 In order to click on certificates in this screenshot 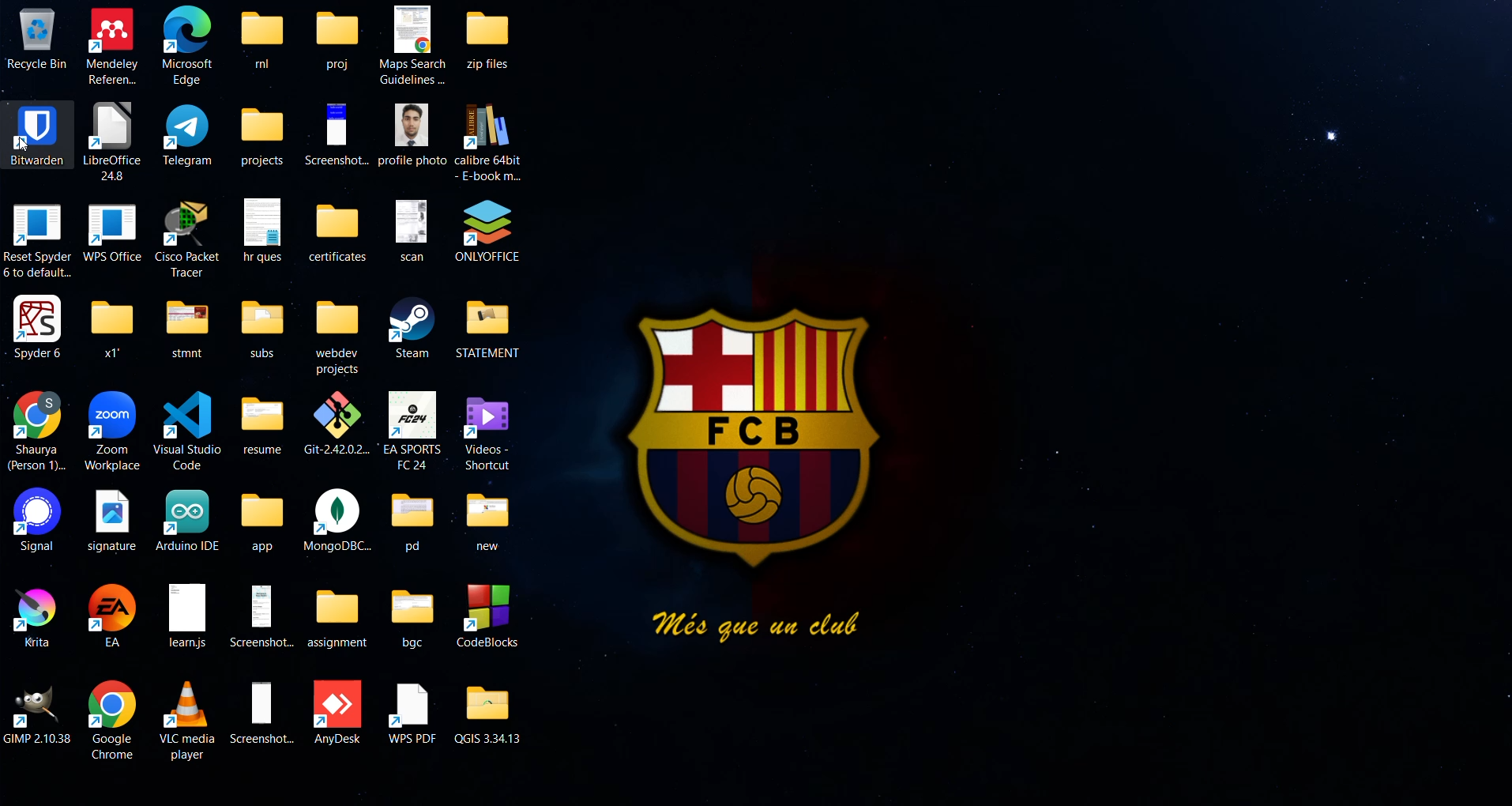, I will do `click(339, 230)`.